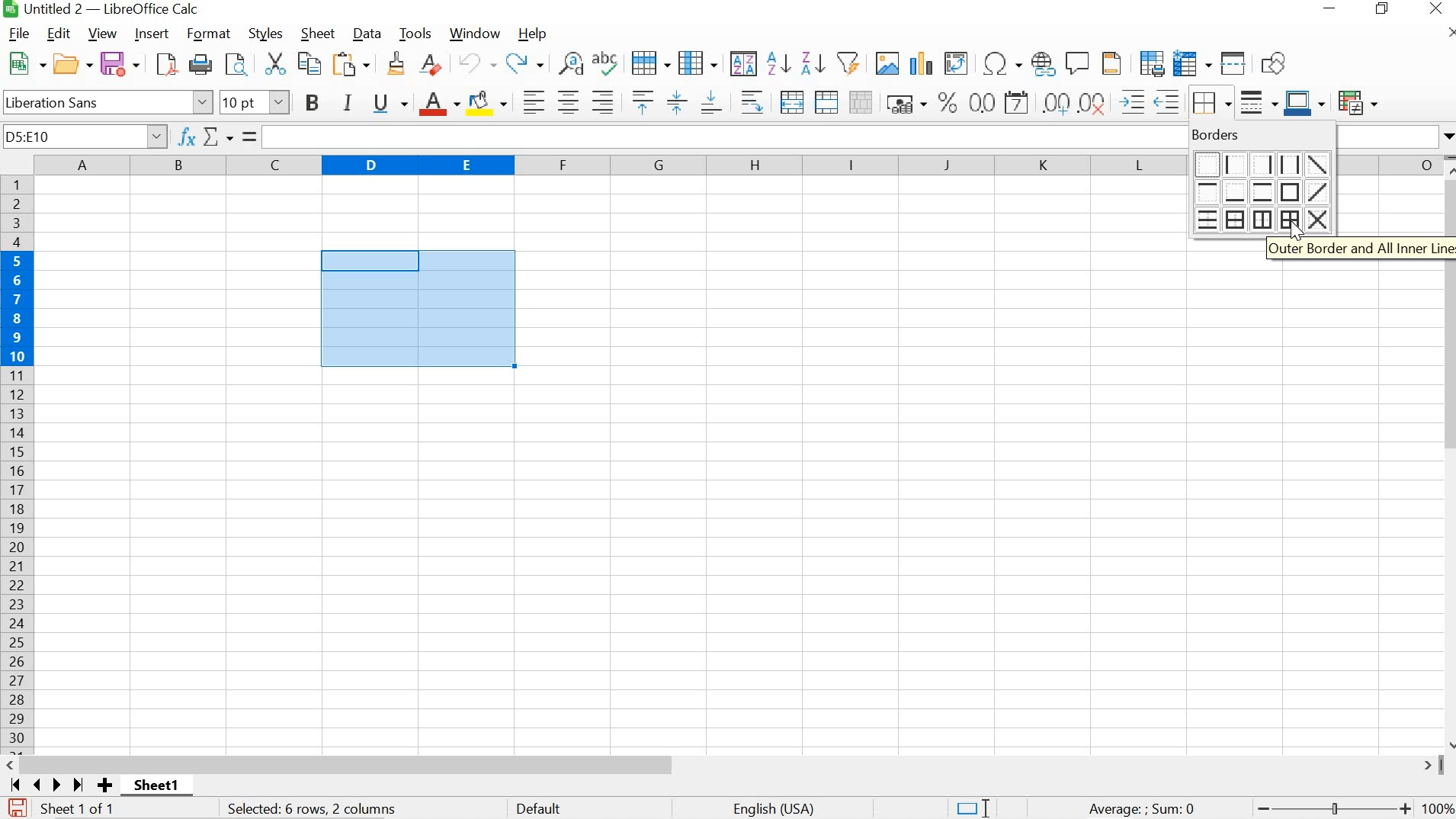  Describe the element at coordinates (104, 785) in the screenshot. I see `add sheeT` at that location.